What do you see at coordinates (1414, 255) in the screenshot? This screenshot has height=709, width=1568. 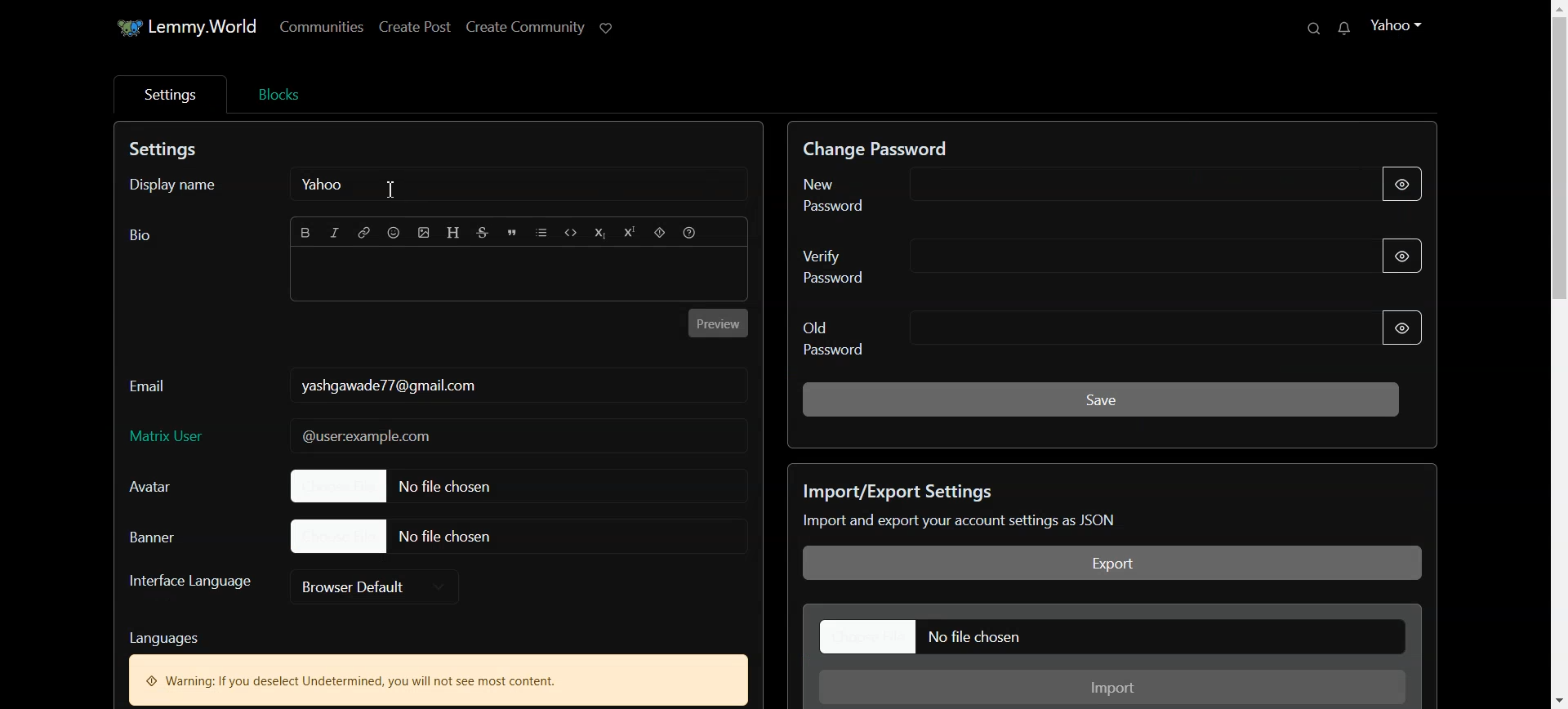 I see `Hide Password` at bounding box center [1414, 255].